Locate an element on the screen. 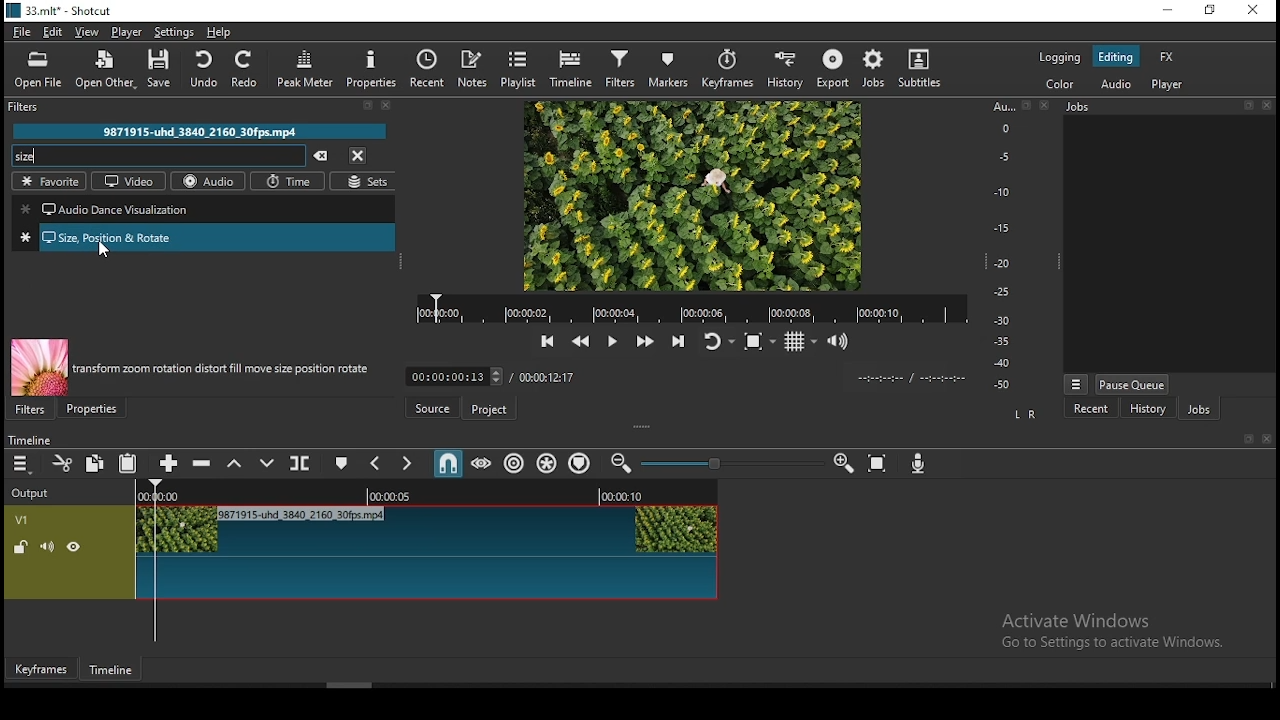  -5 is located at coordinates (1007, 155).